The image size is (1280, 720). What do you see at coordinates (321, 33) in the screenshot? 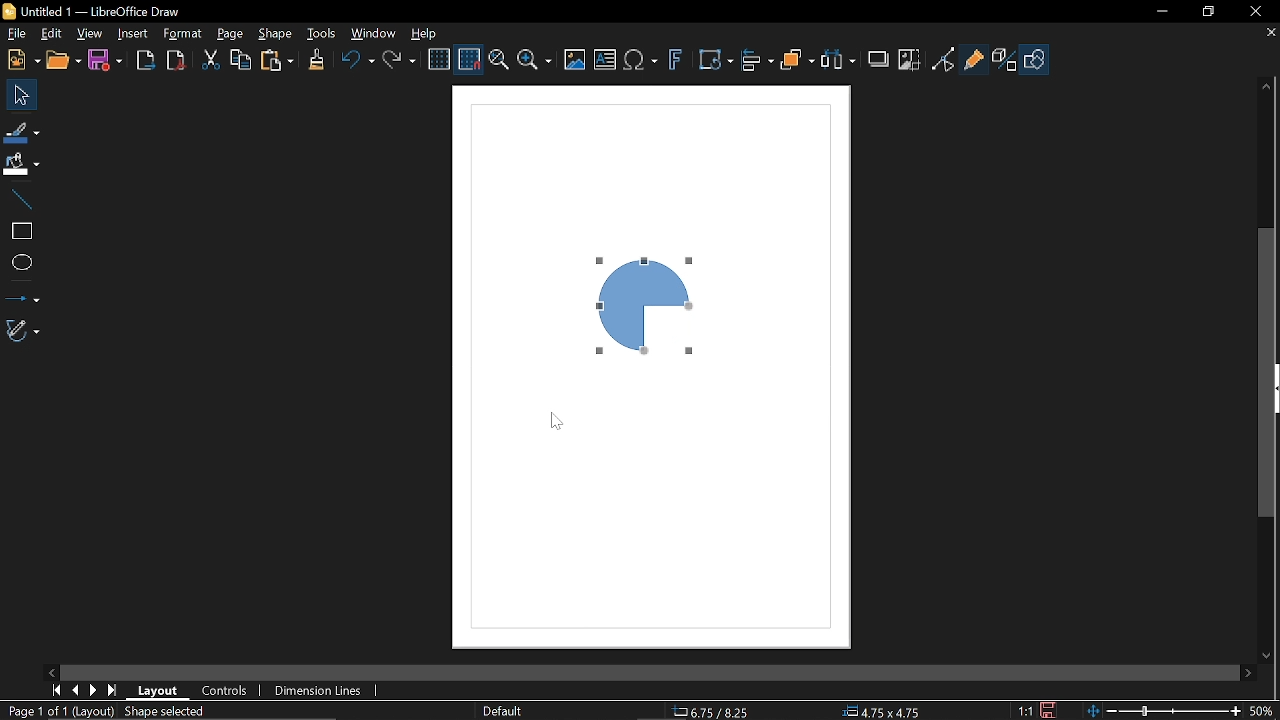
I see `Tools` at bounding box center [321, 33].